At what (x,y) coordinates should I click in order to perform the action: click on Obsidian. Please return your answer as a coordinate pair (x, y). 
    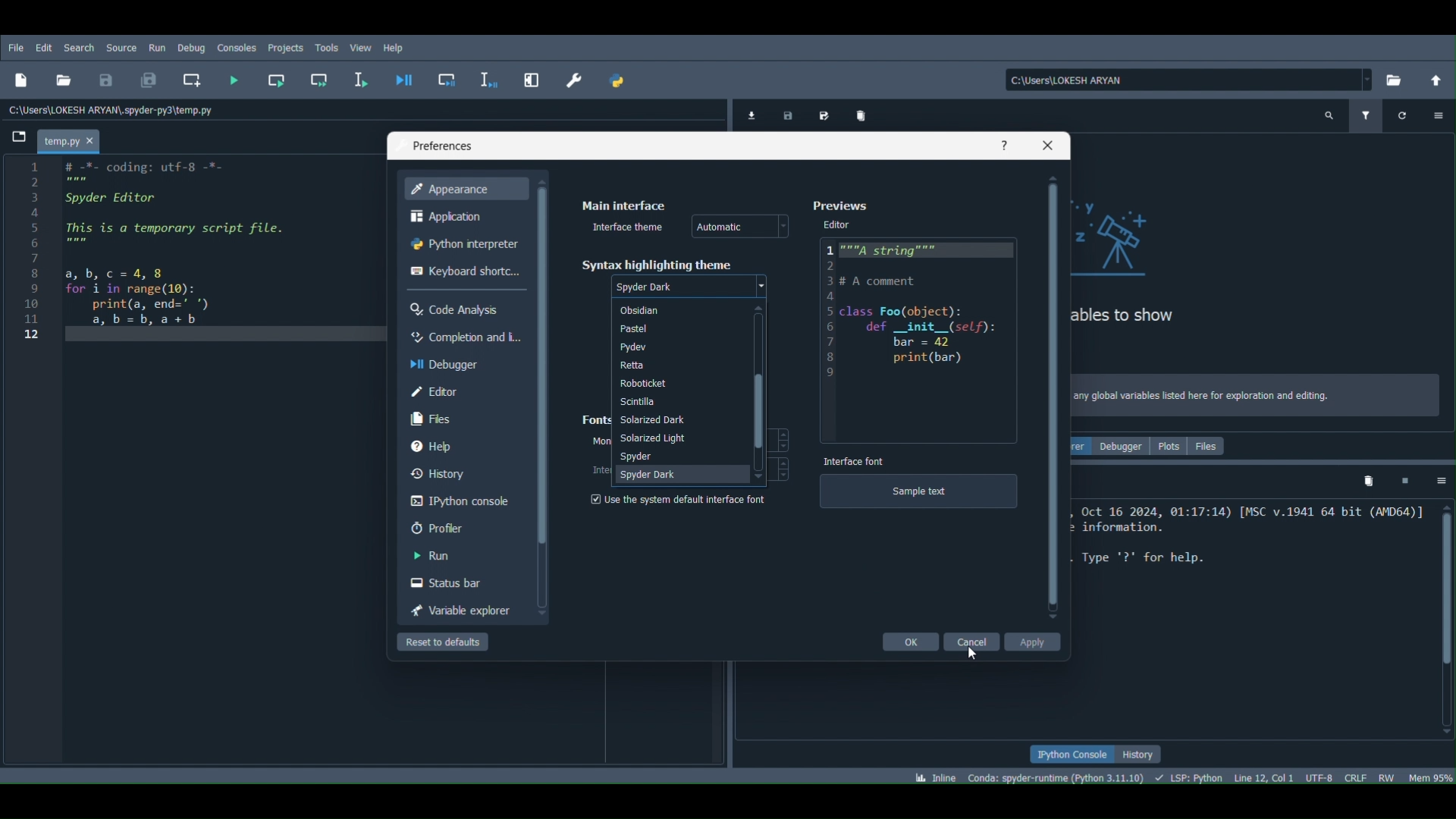
    Looking at the image, I should click on (678, 310).